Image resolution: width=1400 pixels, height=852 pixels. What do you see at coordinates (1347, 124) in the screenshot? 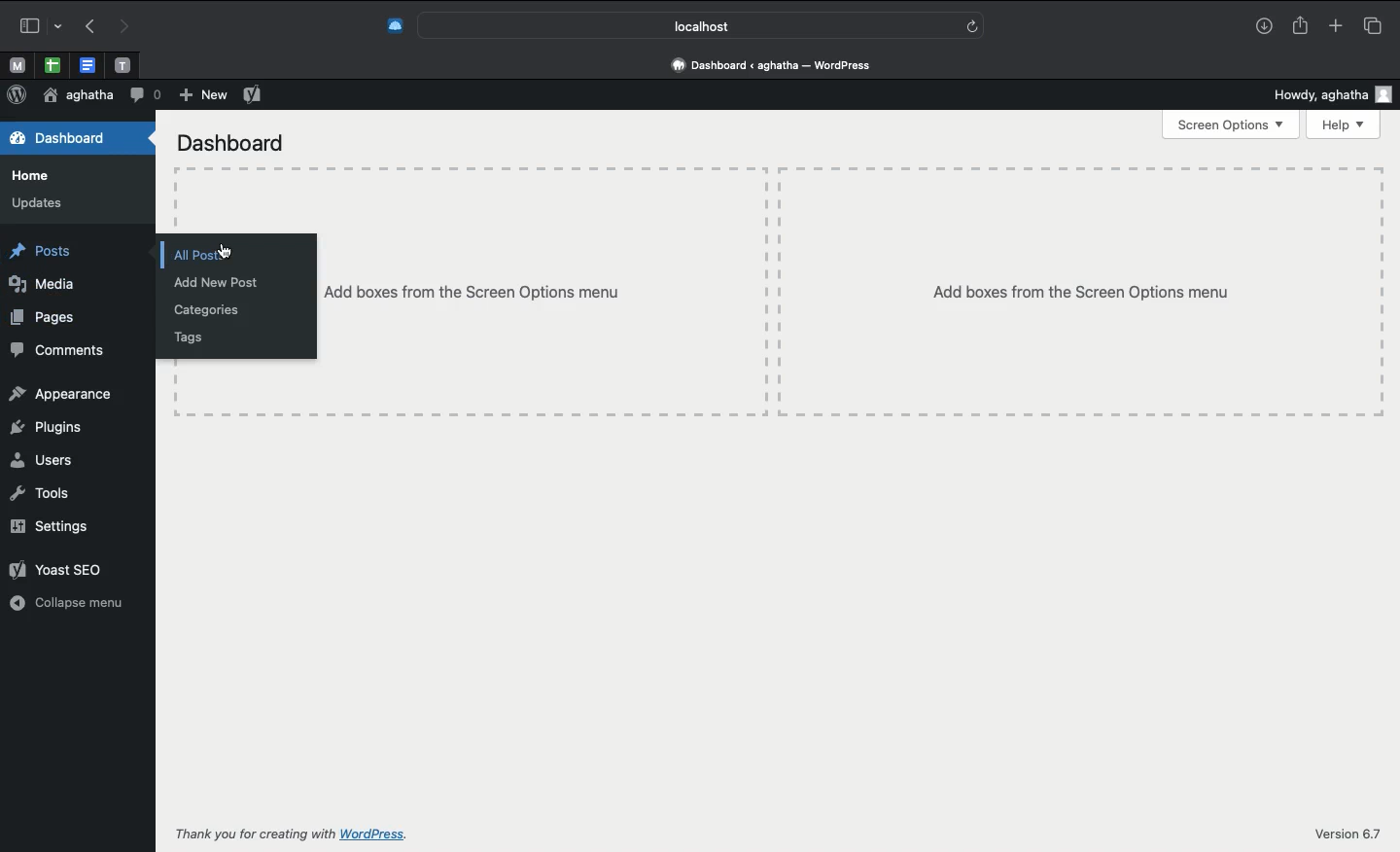
I see `Help` at bounding box center [1347, 124].